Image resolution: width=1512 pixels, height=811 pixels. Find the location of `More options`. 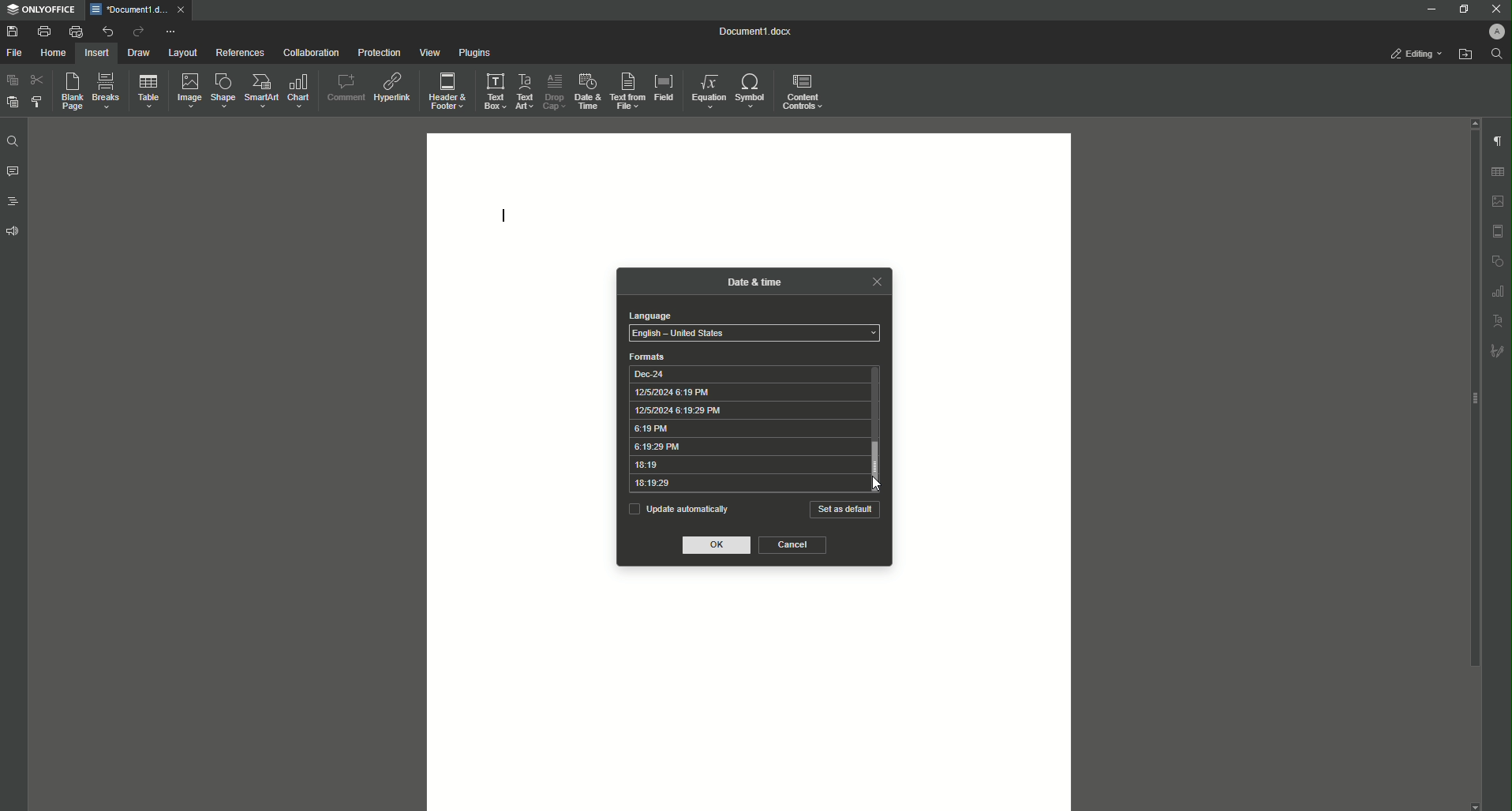

More options is located at coordinates (172, 32).